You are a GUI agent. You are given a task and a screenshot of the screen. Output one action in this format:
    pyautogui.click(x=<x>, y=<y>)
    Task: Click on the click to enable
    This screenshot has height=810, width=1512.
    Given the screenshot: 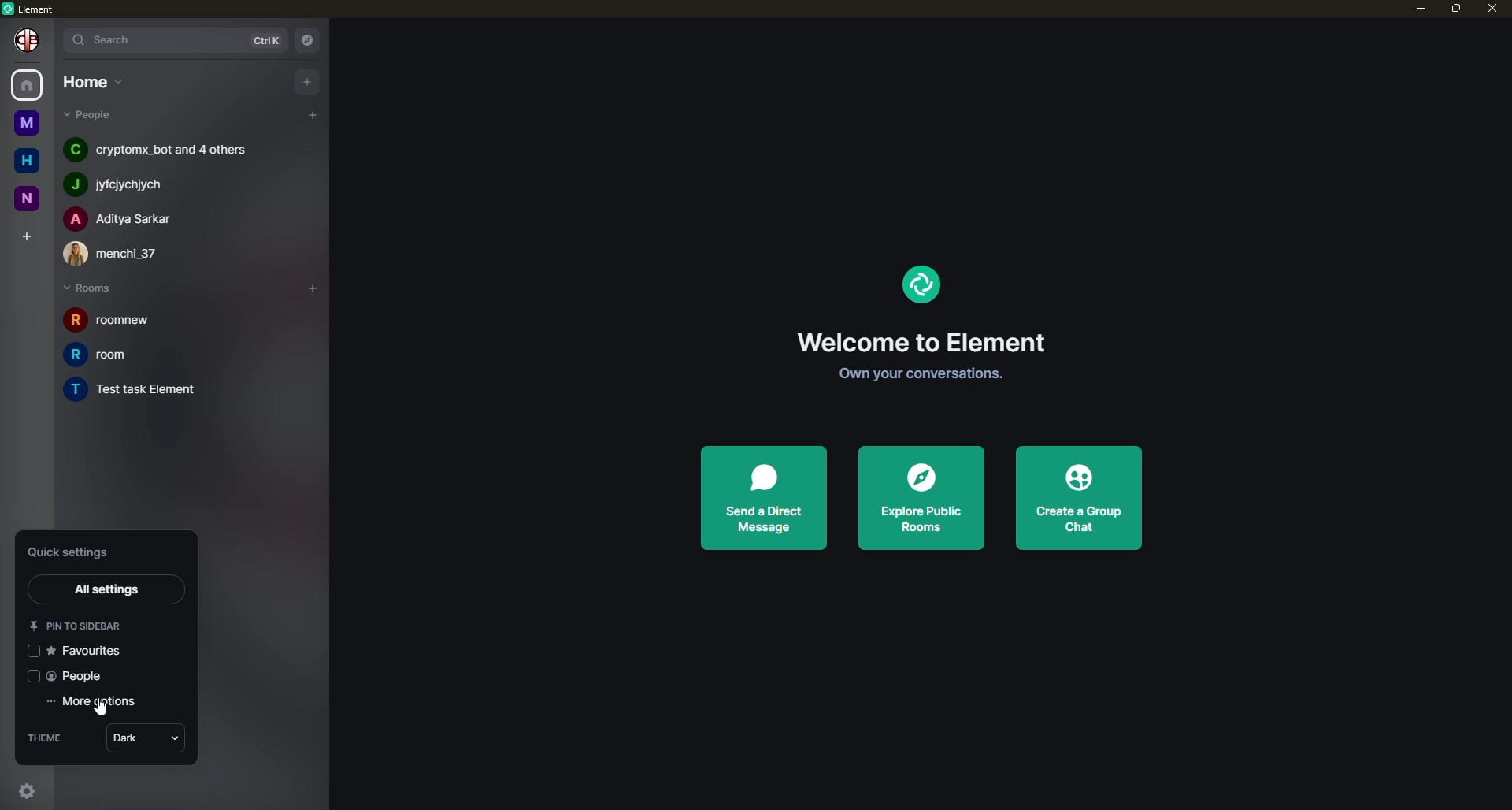 What is the action you would take?
    pyautogui.click(x=31, y=652)
    